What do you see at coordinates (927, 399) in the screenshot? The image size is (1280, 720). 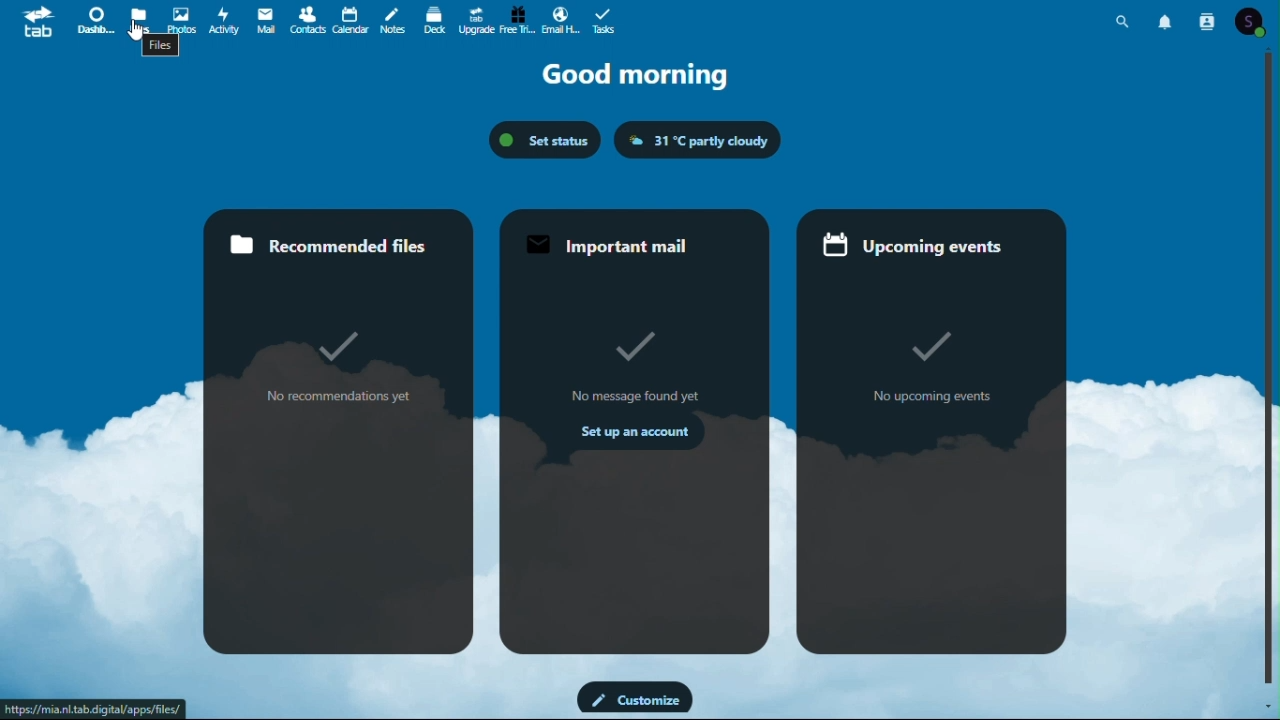 I see `No upcoming events` at bounding box center [927, 399].